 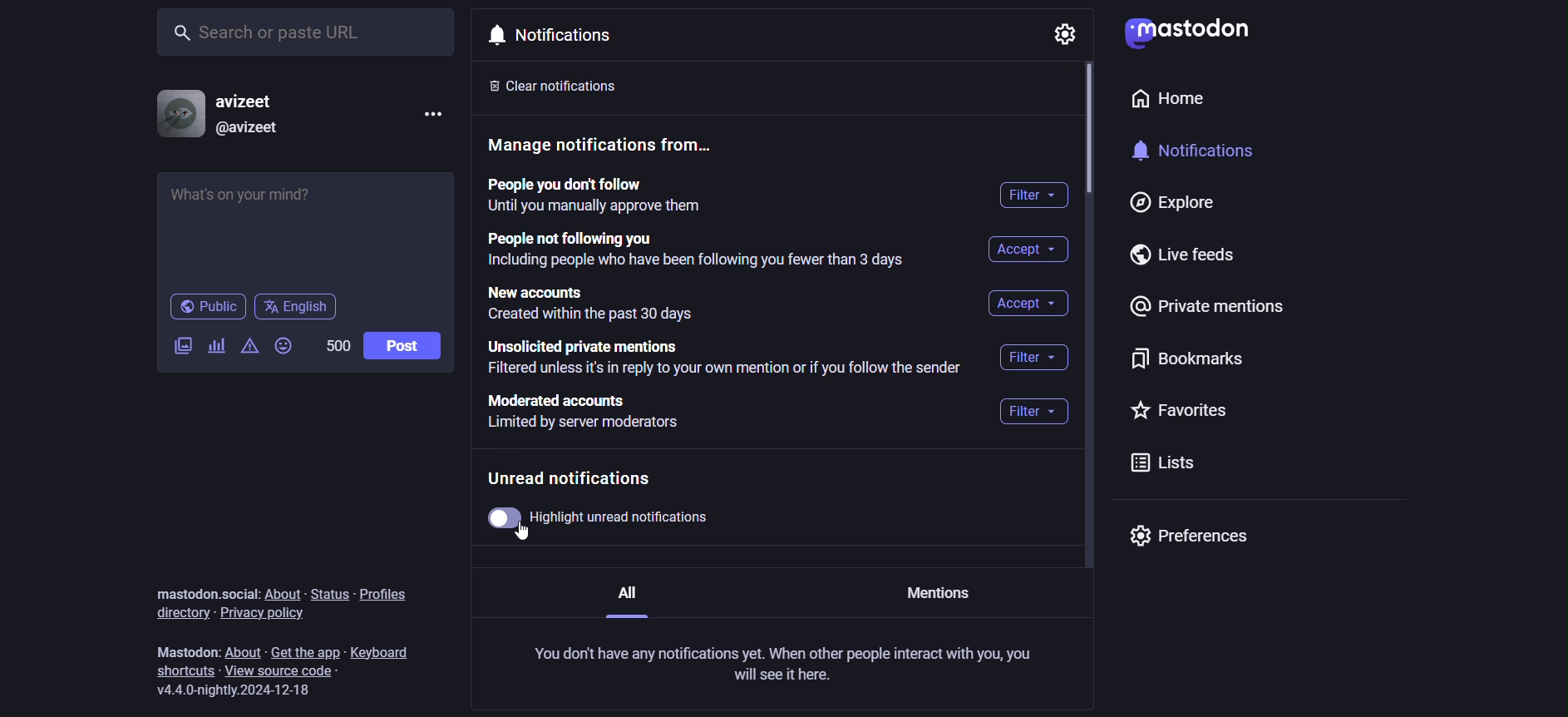 I want to click on People you don't follow until you manually approve them, so click(x=603, y=196).